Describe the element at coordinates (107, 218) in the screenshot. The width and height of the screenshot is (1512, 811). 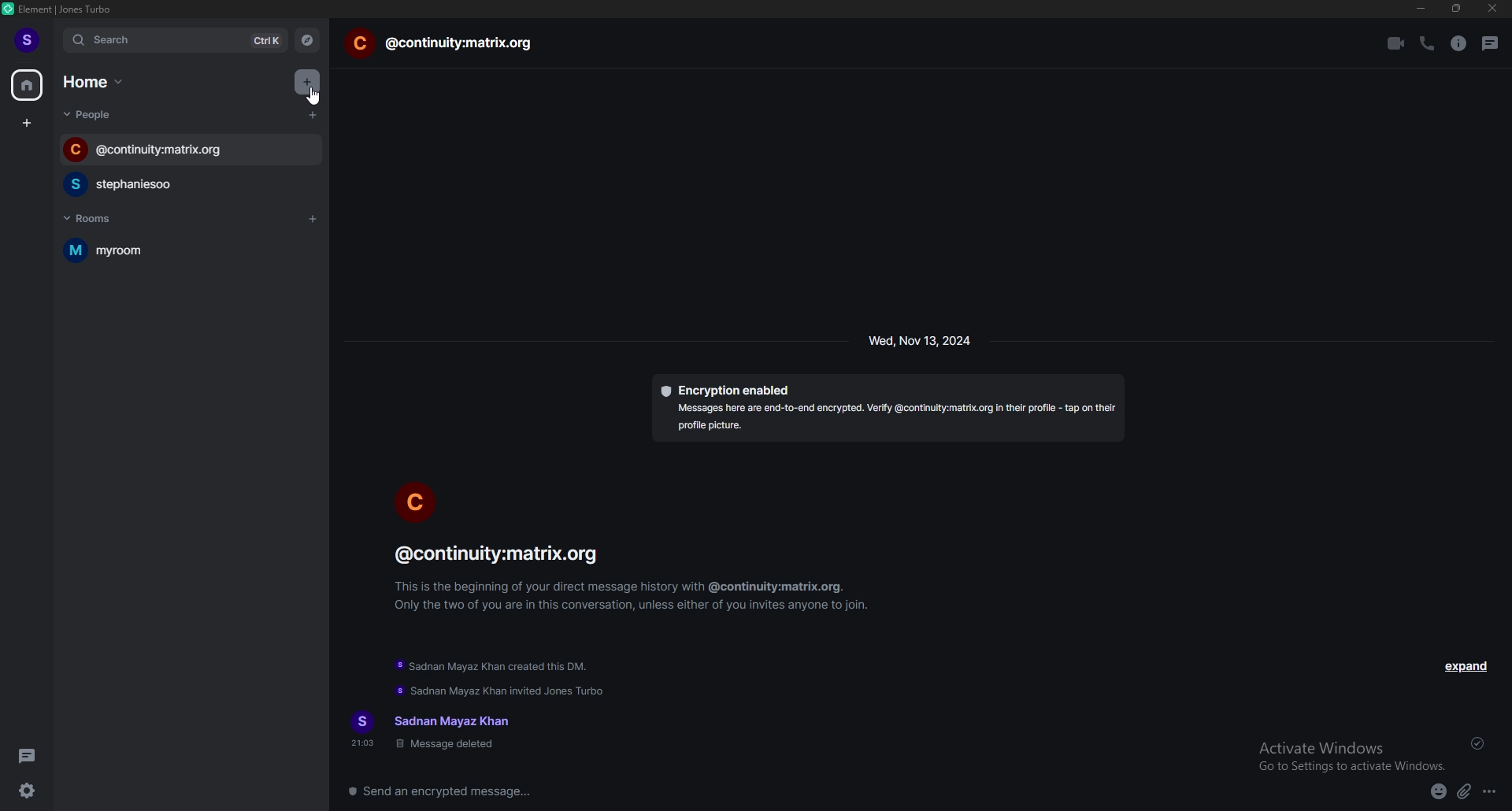
I see `rooms` at that location.